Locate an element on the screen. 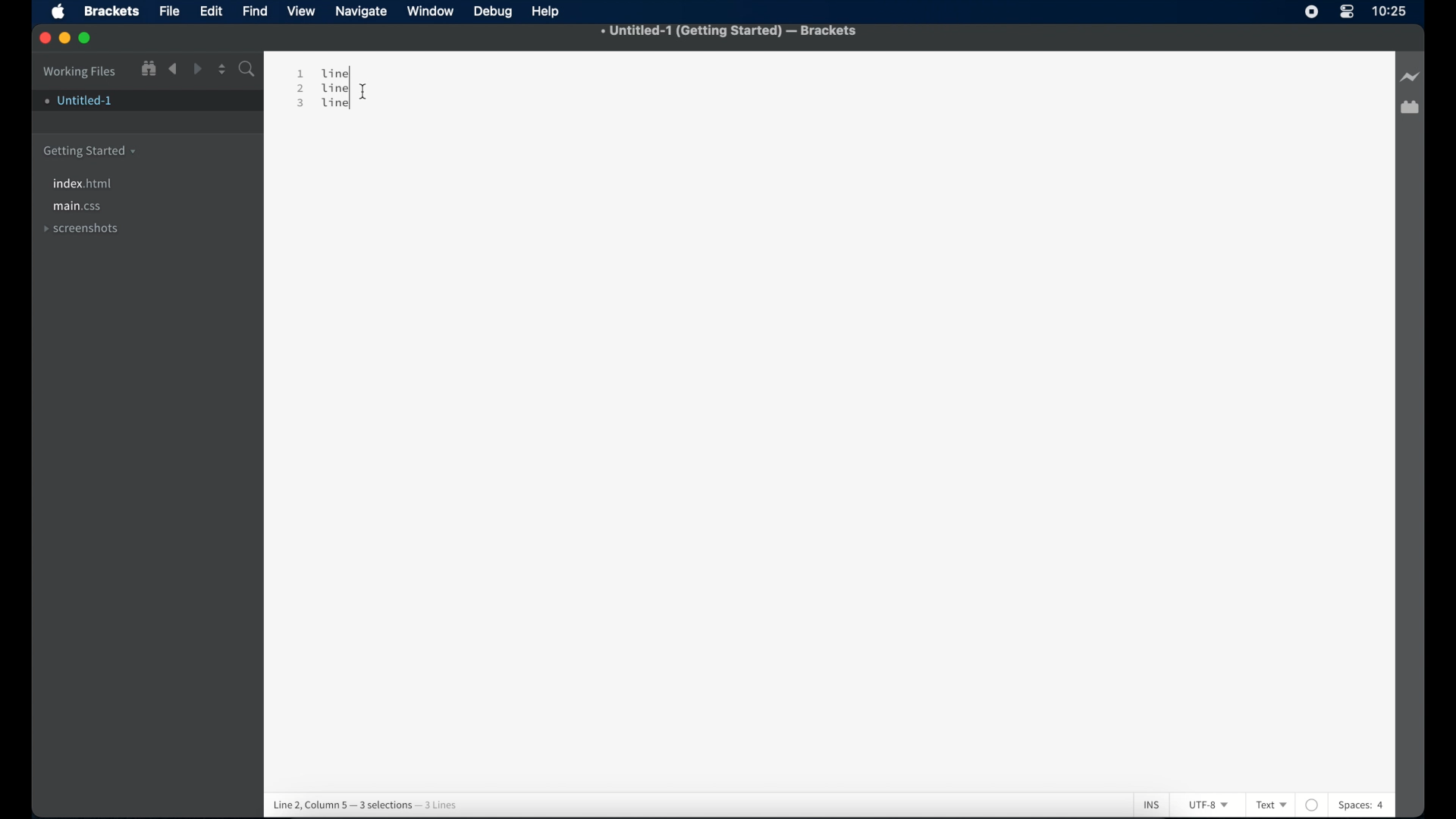 This screenshot has width=1456, height=819. main.css is located at coordinates (78, 207).